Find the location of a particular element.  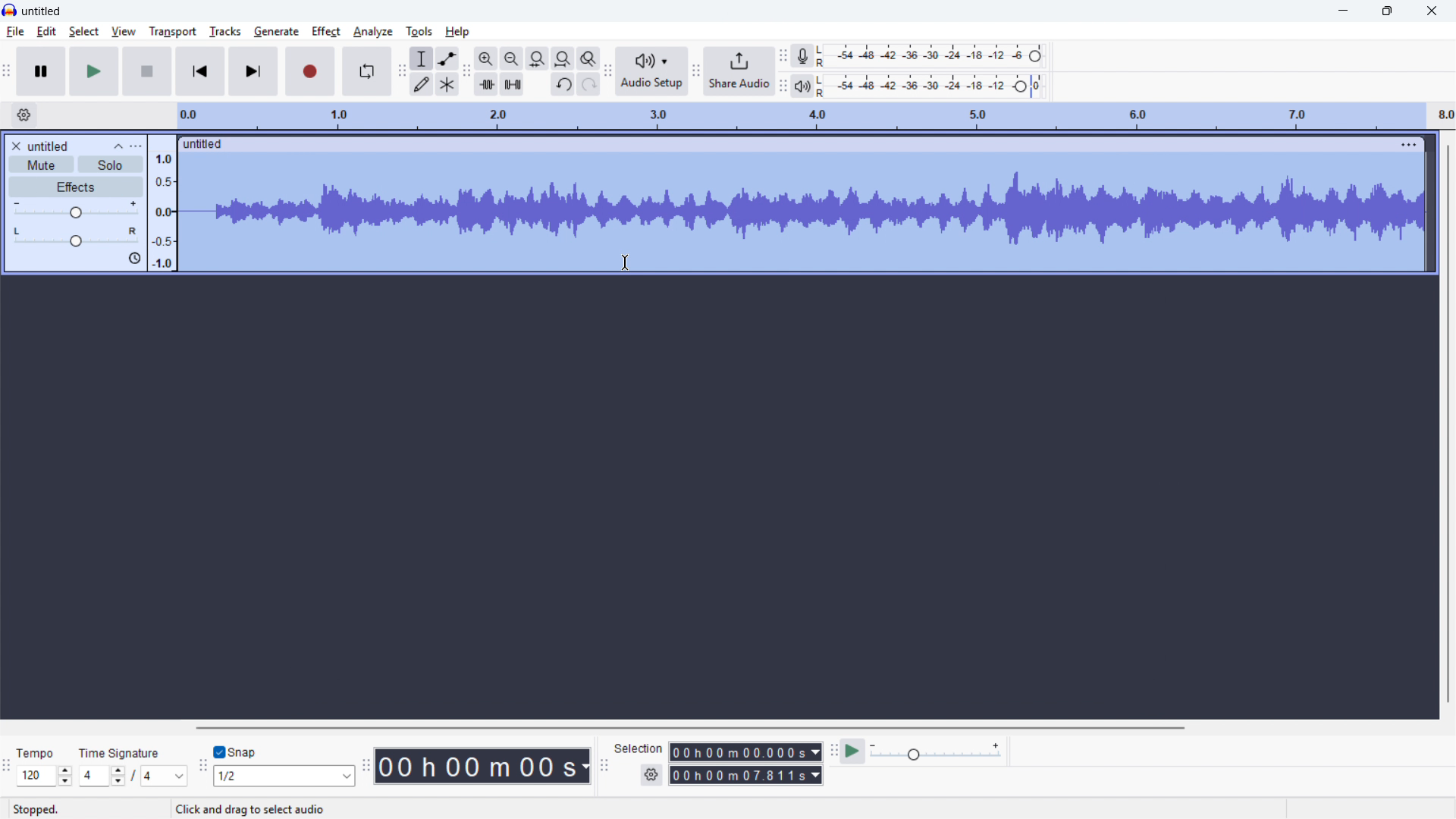

Playback metre  is located at coordinates (802, 86).